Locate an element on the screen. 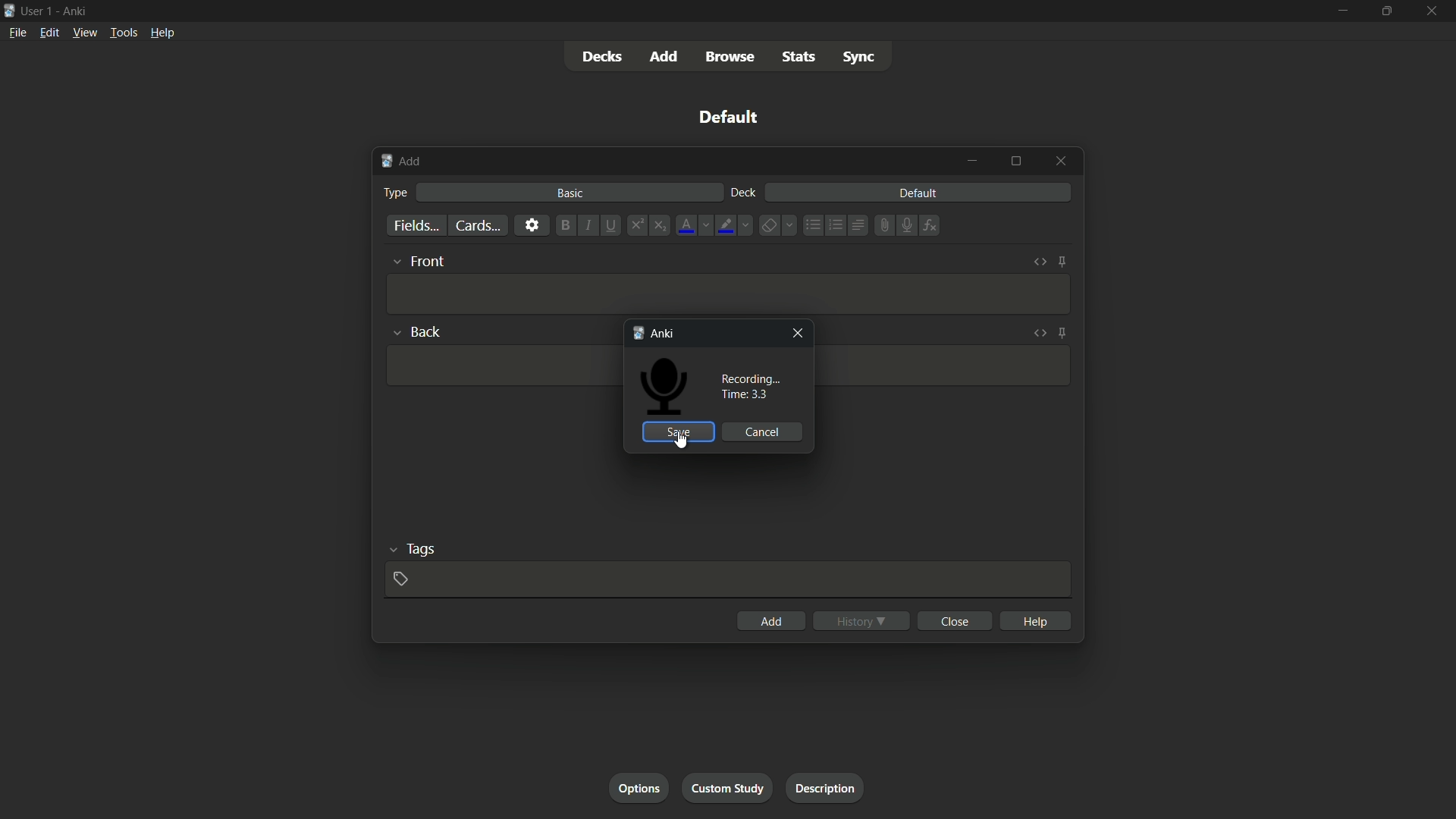 Image resolution: width=1456 pixels, height=819 pixels. cancel is located at coordinates (764, 433).